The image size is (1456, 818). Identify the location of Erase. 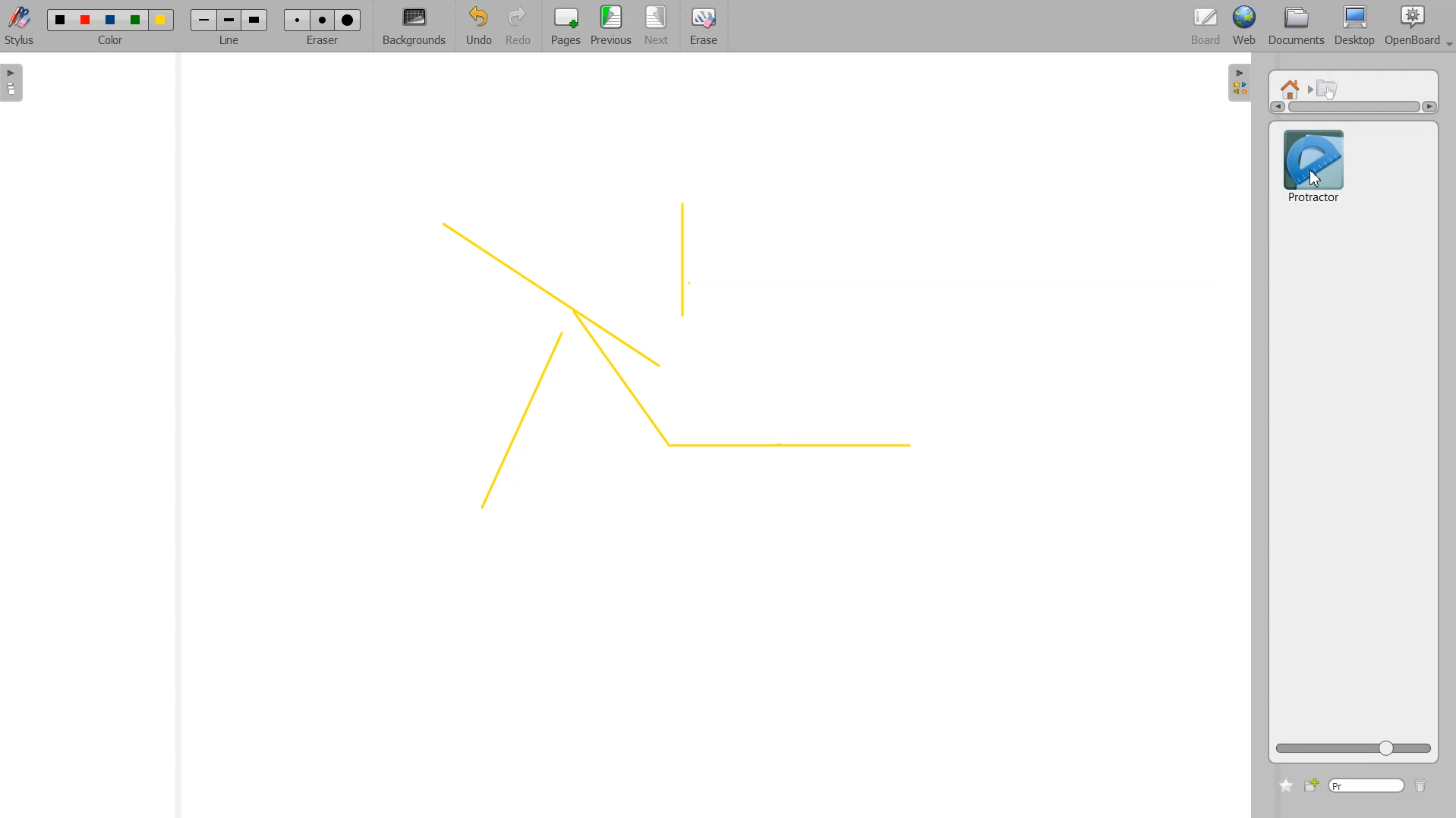
(322, 20).